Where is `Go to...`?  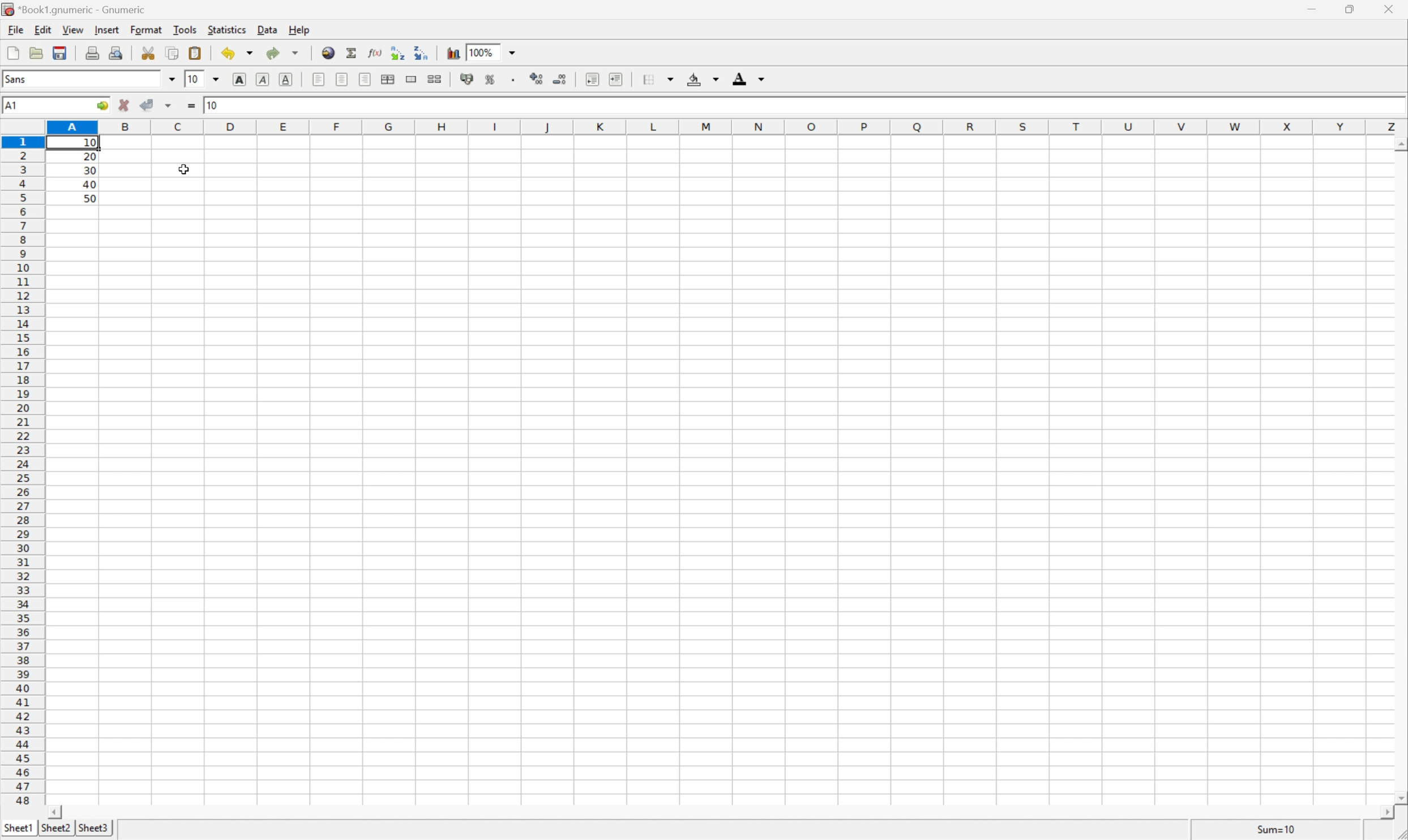
Go to... is located at coordinates (101, 106).